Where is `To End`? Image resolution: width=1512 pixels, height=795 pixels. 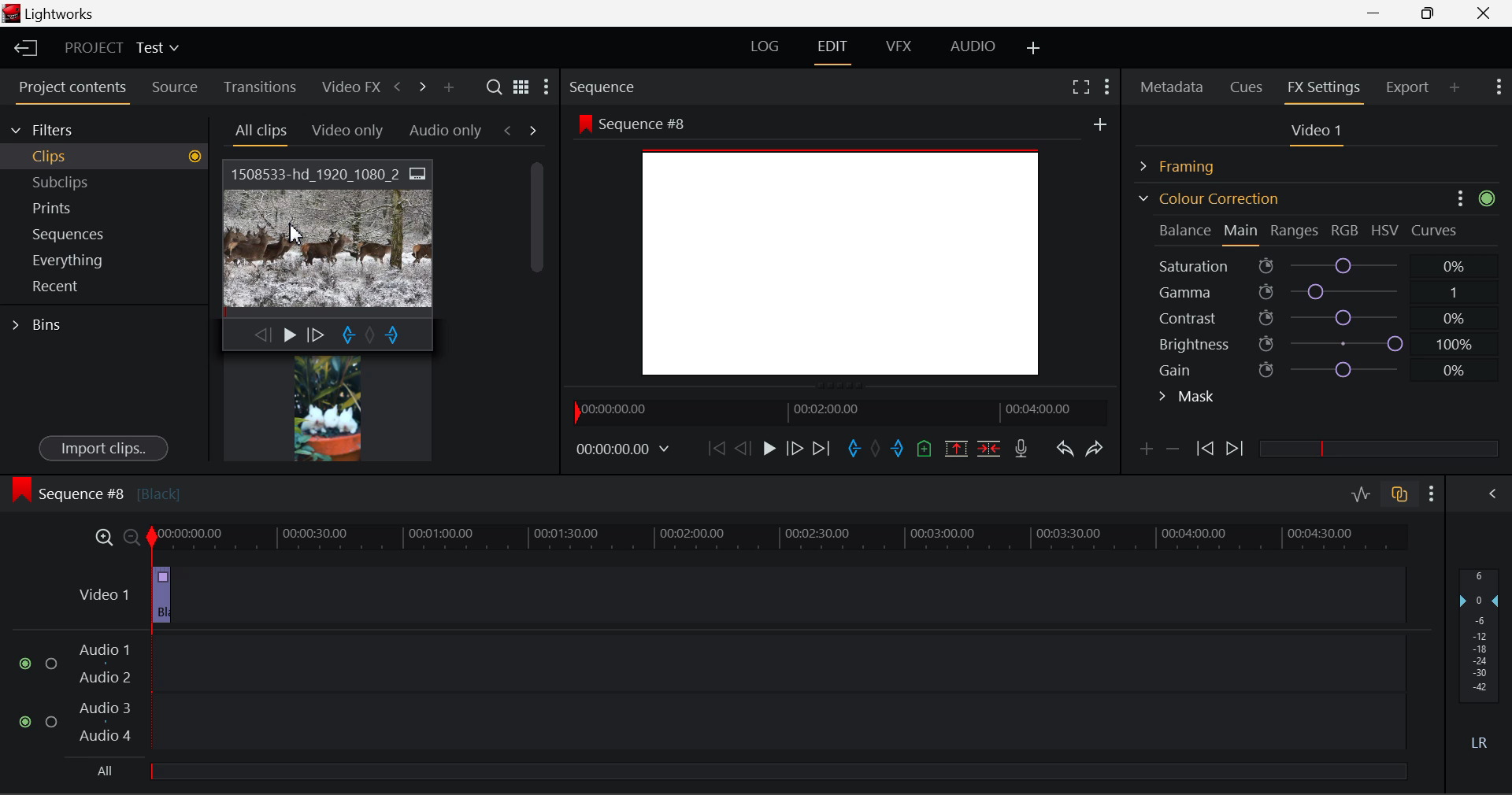
To End is located at coordinates (821, 449).